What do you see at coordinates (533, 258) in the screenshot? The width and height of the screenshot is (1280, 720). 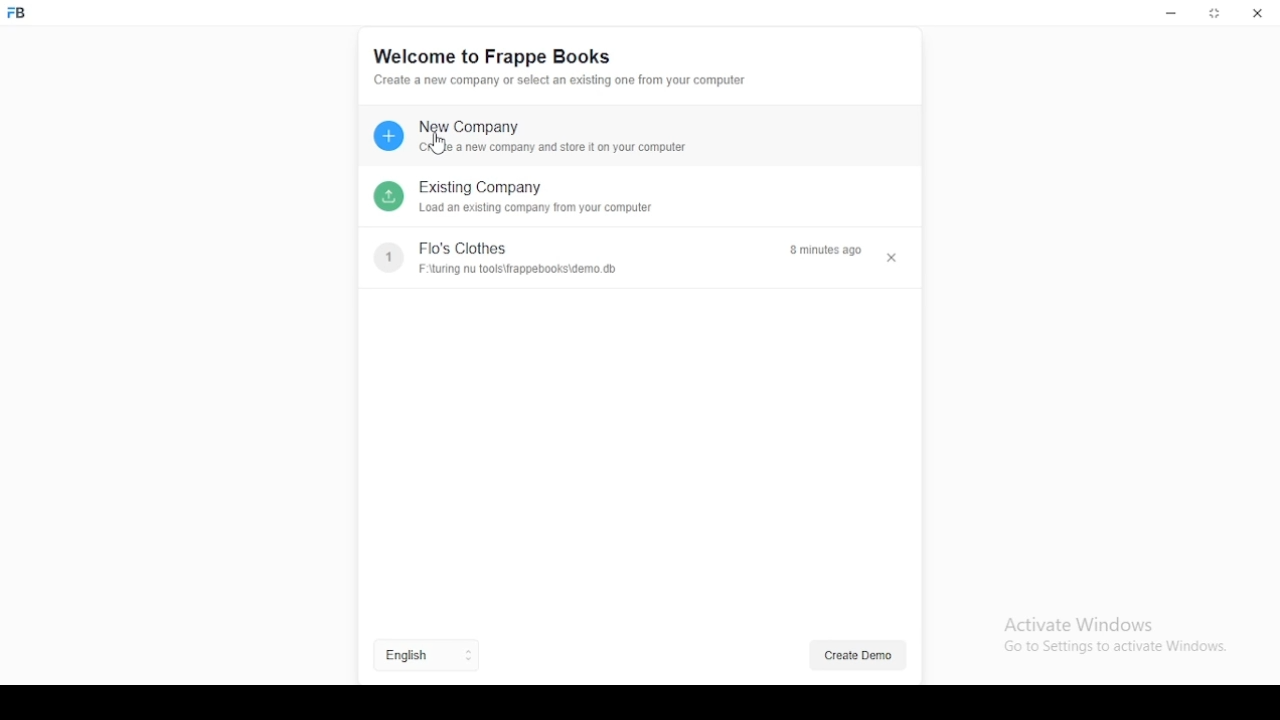 I see `, Flo's Clothes F:\turing nu tools\frappebooks\demo.db` at bounding box center [533, 258].